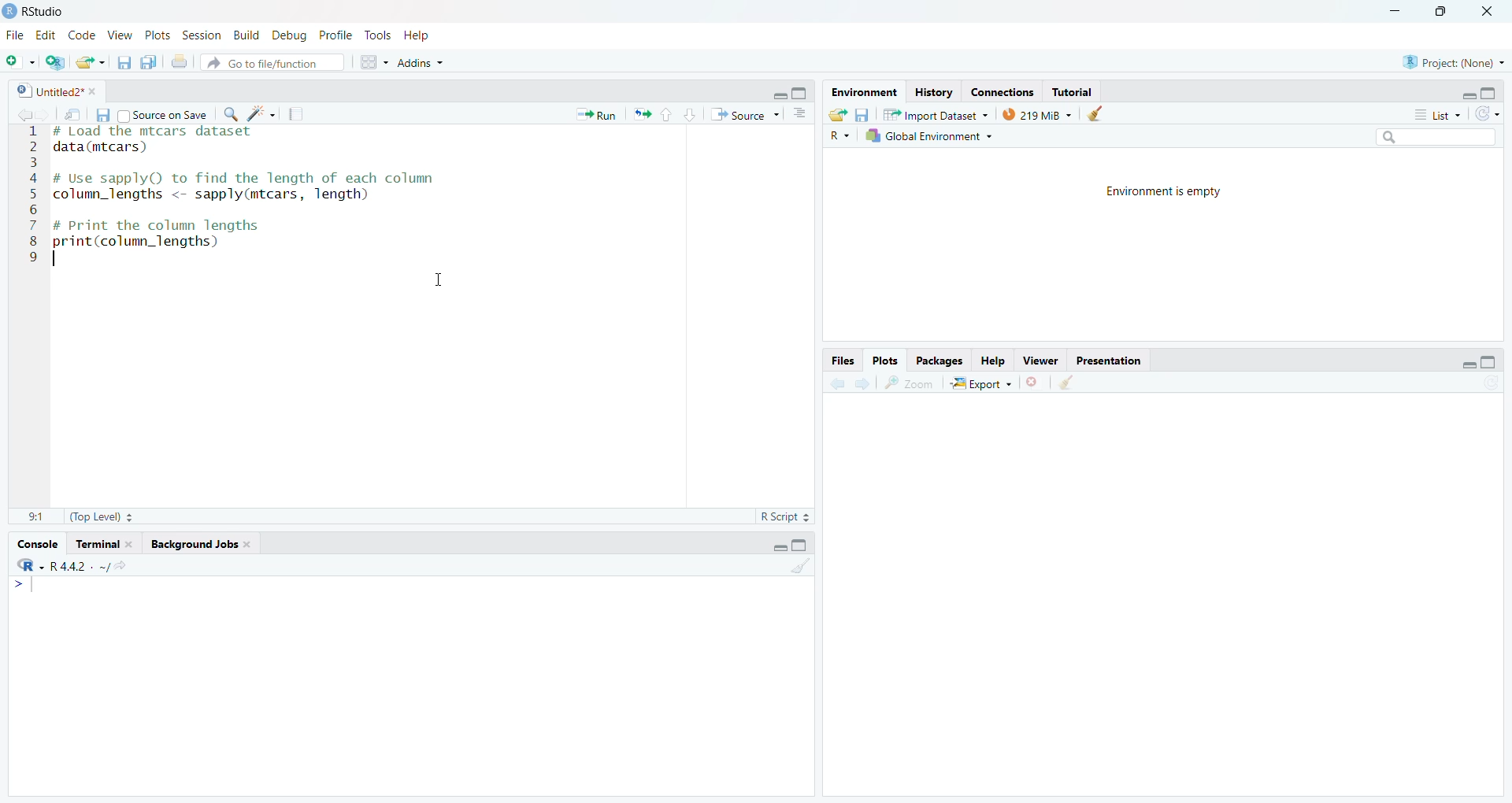  Describe the element at coordinates (158, 35) in the screenshot. I see `Plots` at that location.